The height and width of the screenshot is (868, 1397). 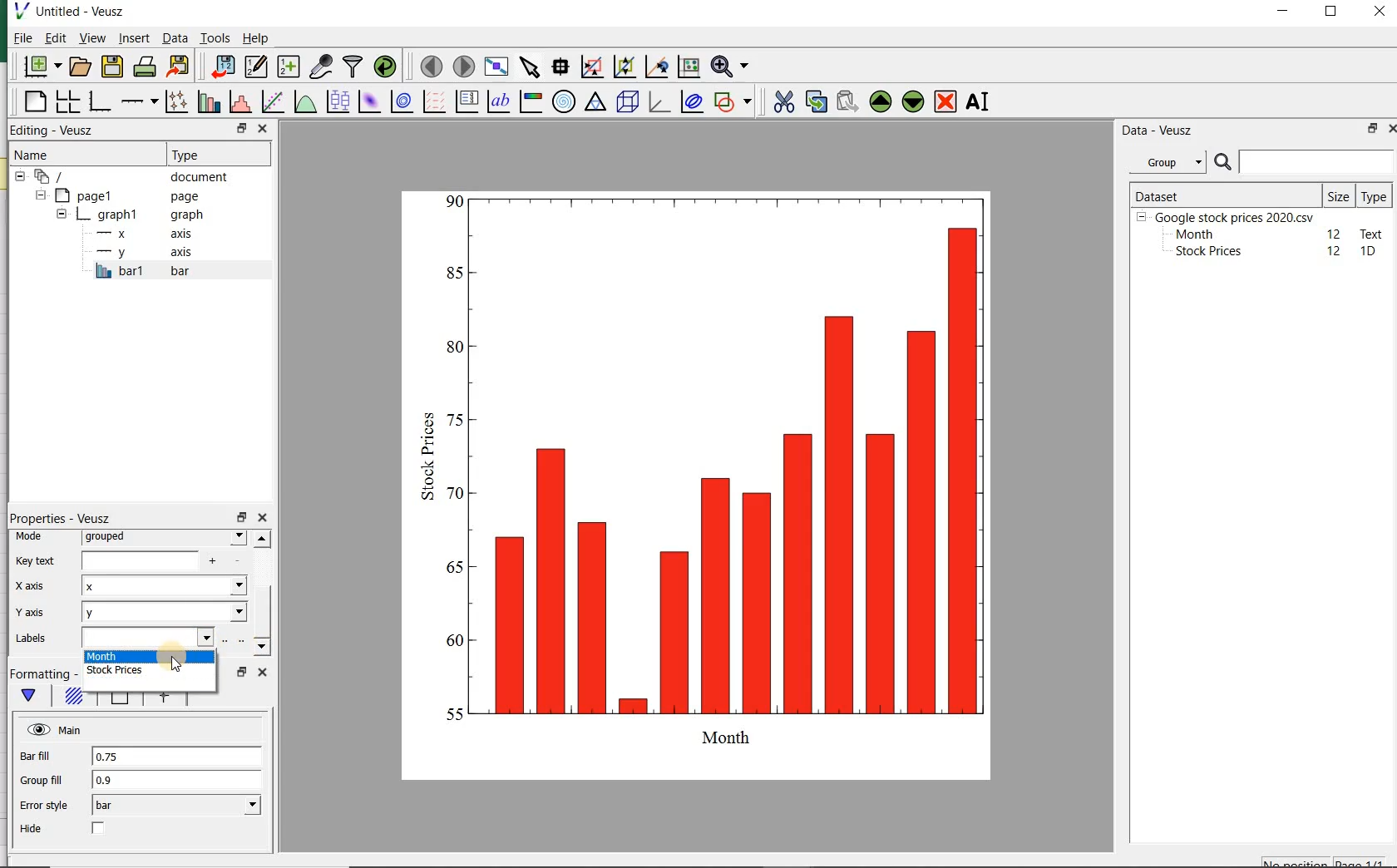 What do you see at coordinates (1284, 12) in the screenshot?
I see `minimize` at bounding box center [1284, 12].